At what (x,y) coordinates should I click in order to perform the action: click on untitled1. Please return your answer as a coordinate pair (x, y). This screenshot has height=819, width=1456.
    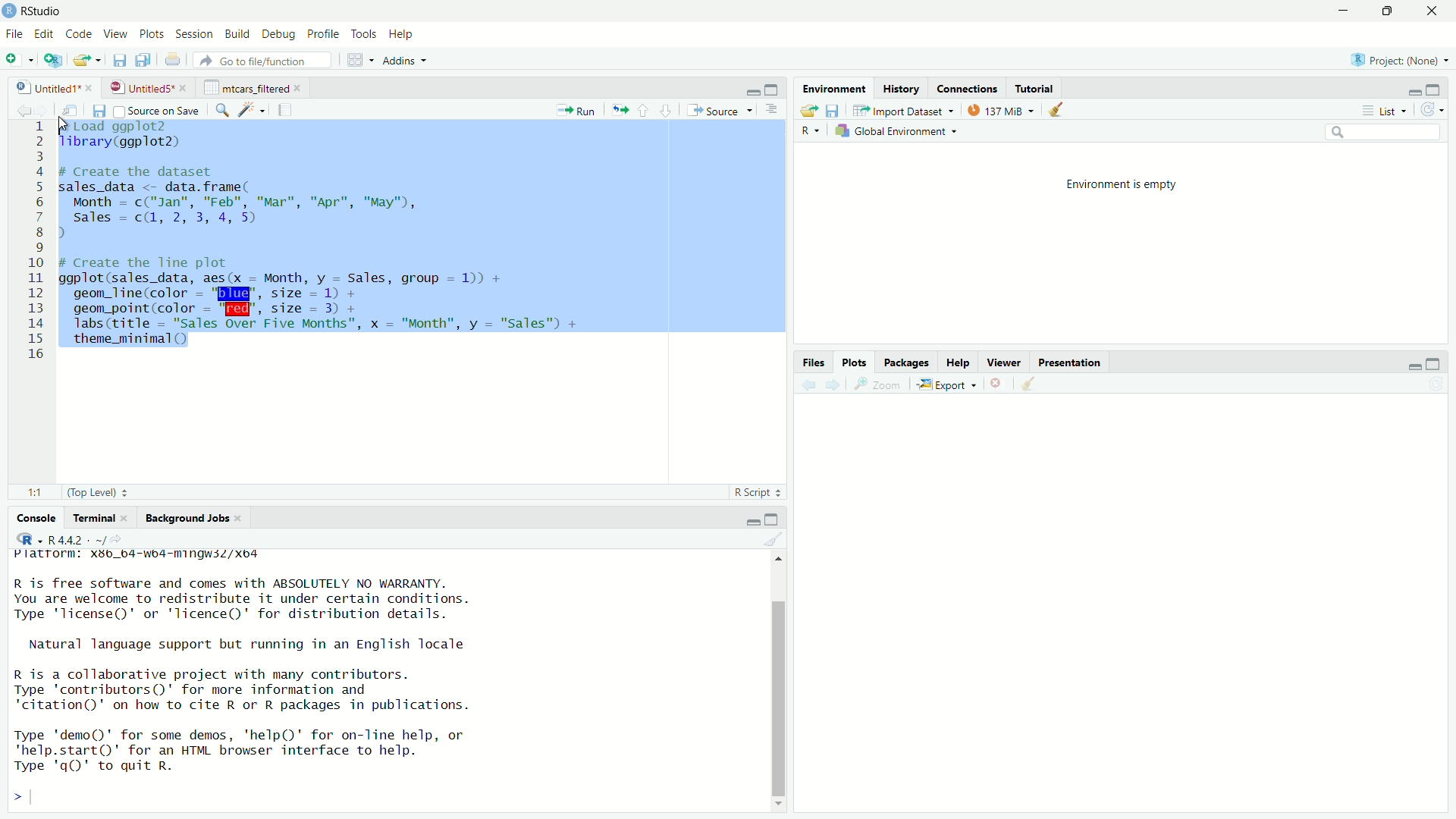
    Looking at the image, I should click on (46, 88).